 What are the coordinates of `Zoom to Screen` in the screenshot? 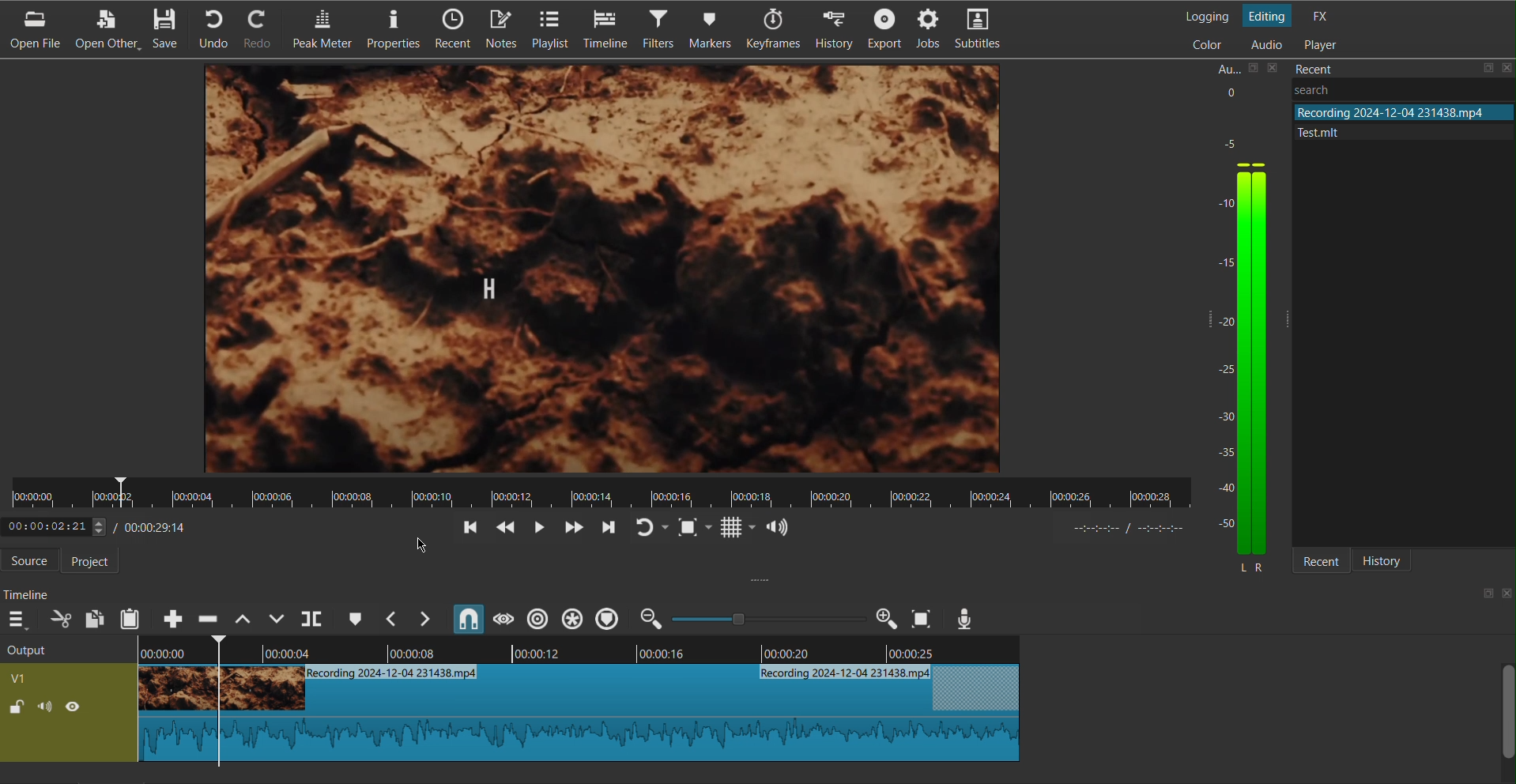 It's located at (920, 618).